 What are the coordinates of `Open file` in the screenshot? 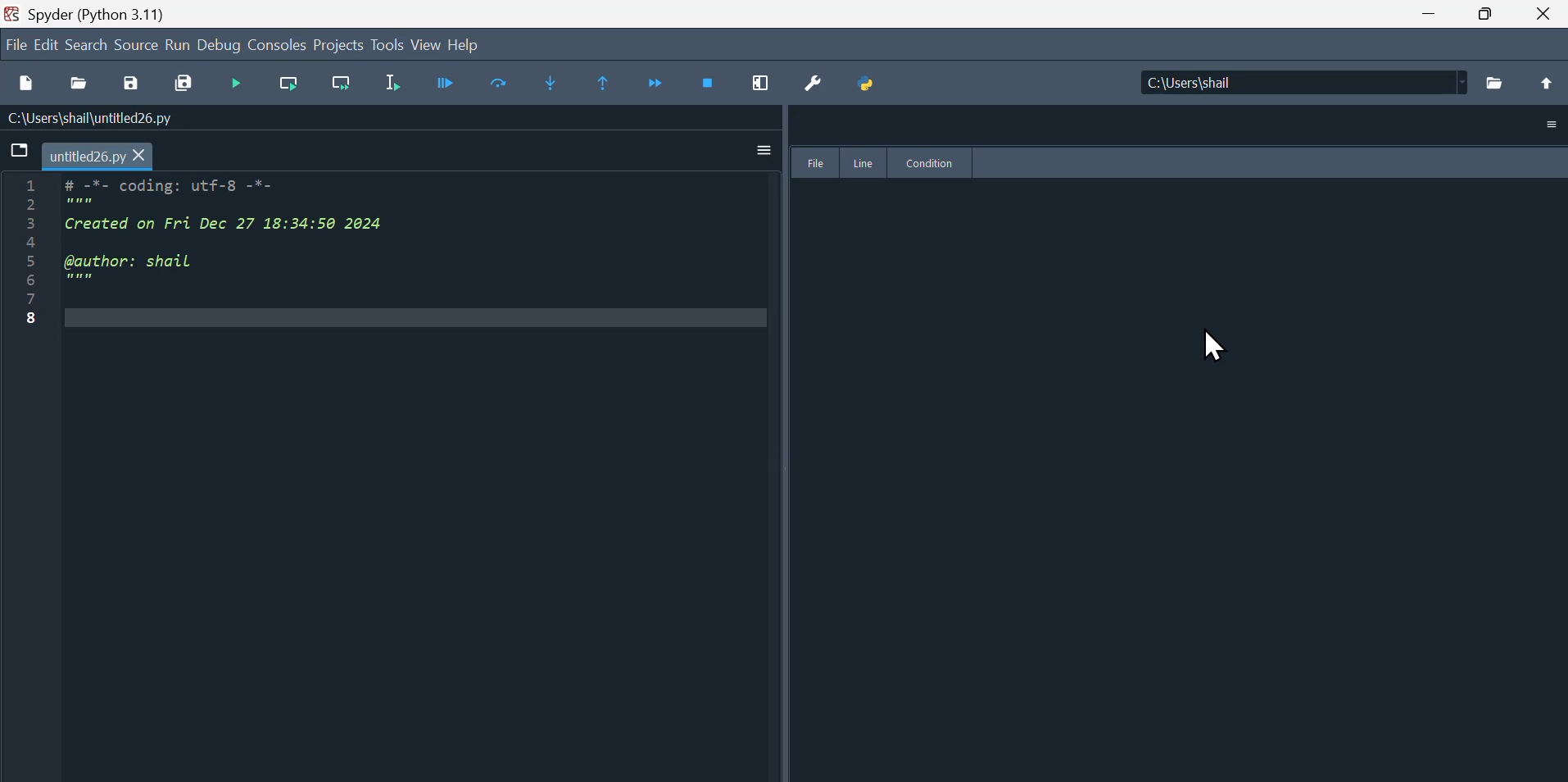 It's located at (84, 85).